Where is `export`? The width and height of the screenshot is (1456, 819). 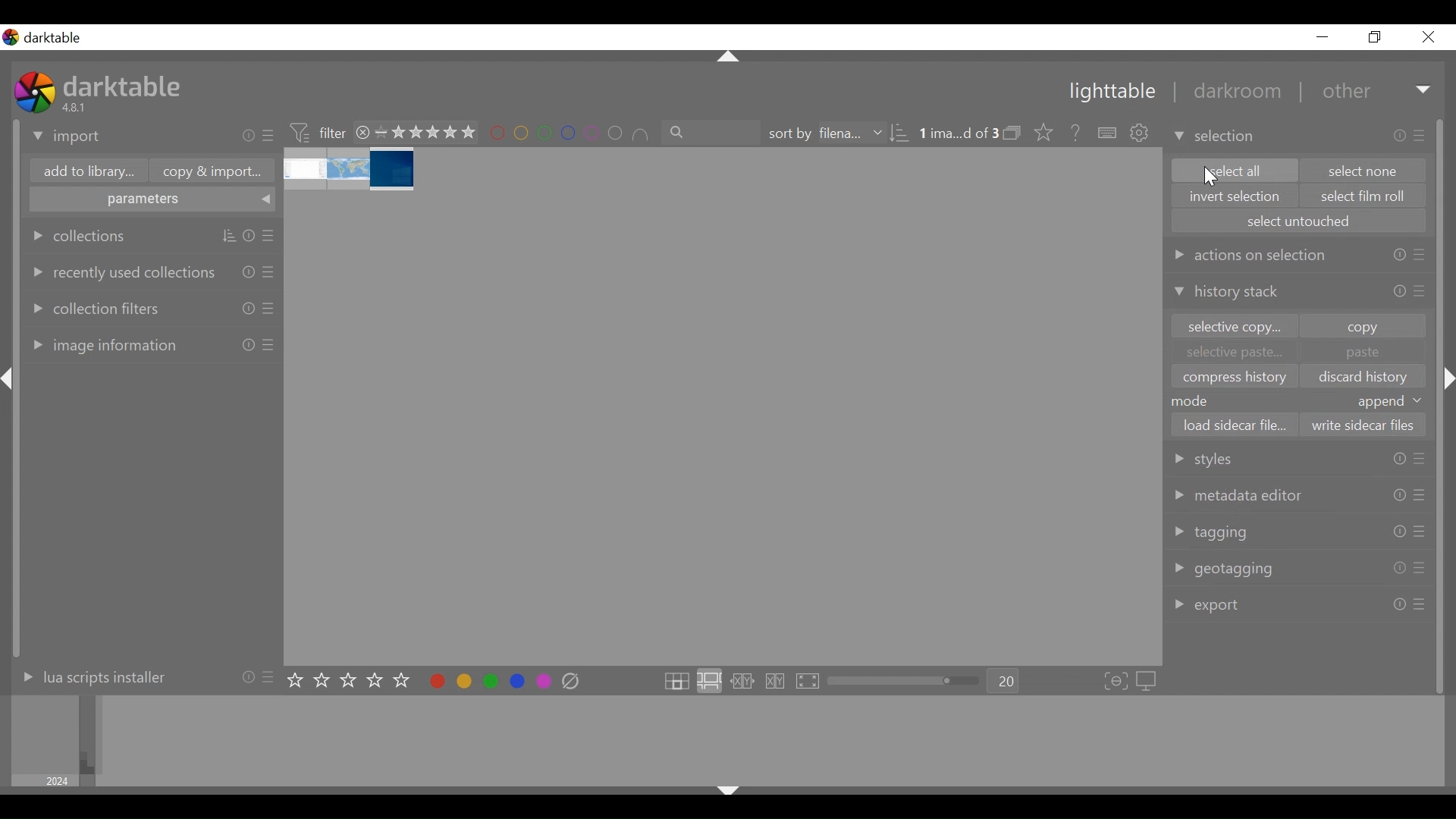
export is located at coordinates (1209, 605).